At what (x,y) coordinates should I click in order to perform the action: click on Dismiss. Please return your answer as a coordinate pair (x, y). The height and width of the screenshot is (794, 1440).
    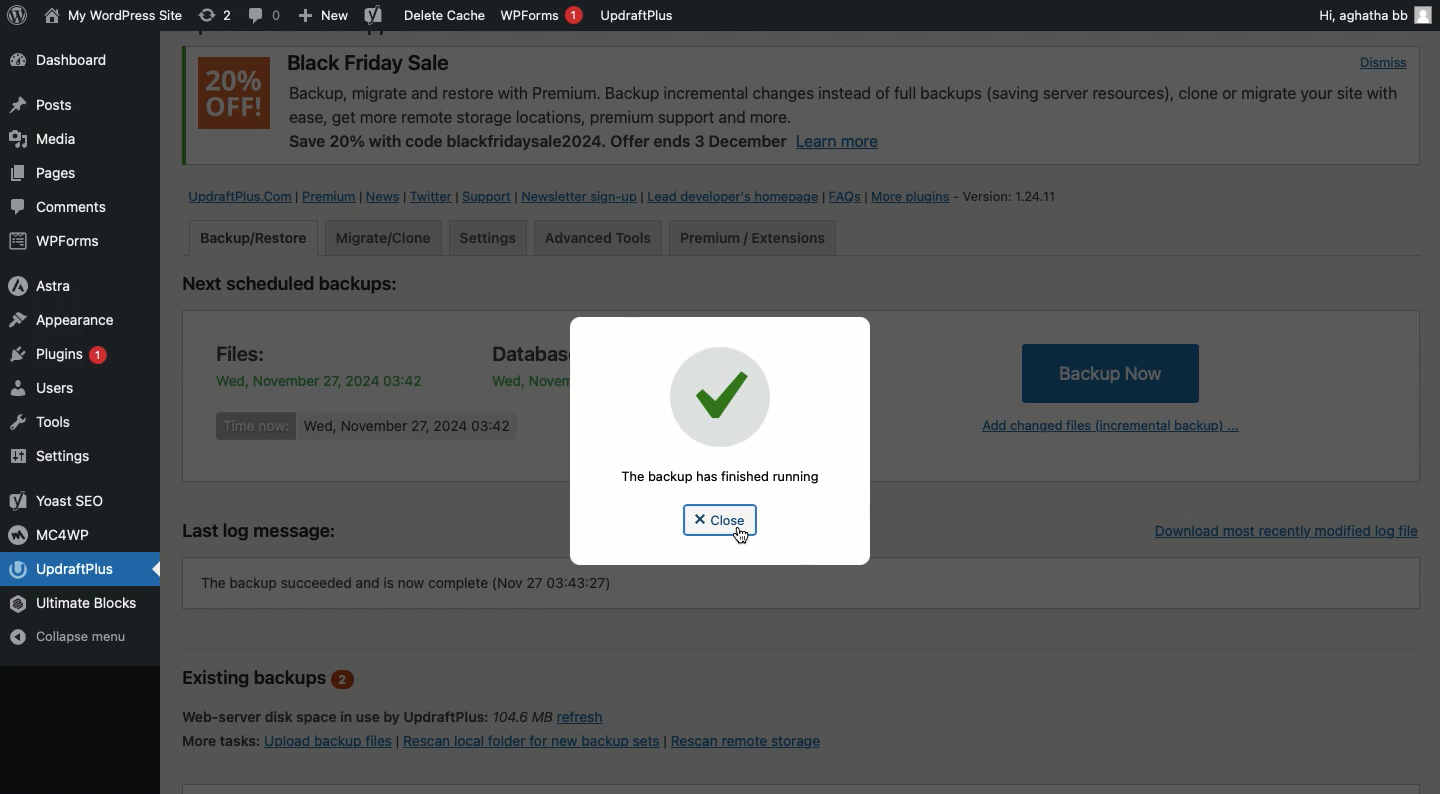
    Looking at the image, I should click on (1384, 63).